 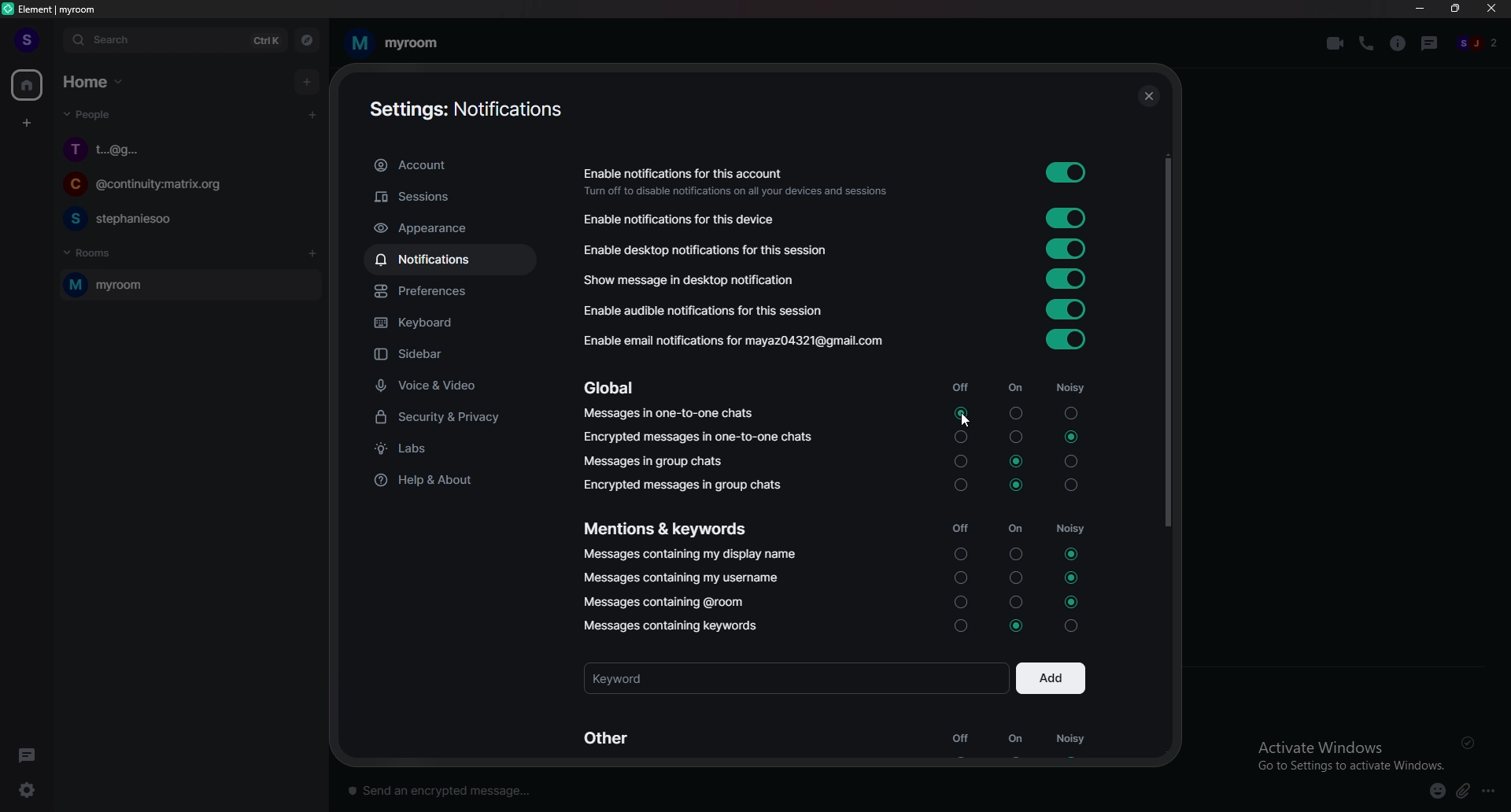 What do you see at coordinates (1482, 43) in the screenshot?
I see `people` at bounding box center [1482, 43].